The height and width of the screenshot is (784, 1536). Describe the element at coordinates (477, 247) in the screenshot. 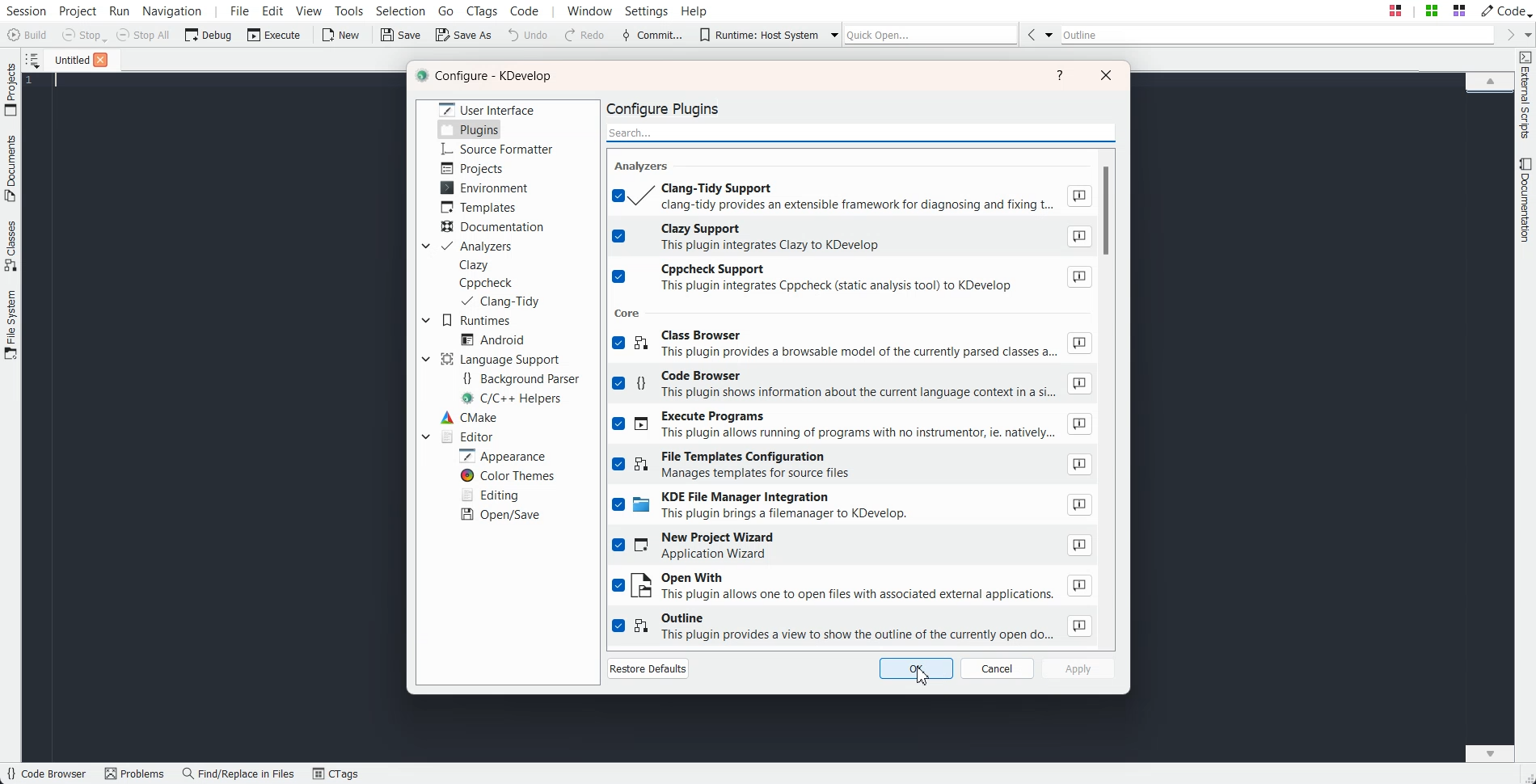

I see `Analyzers` at that location.